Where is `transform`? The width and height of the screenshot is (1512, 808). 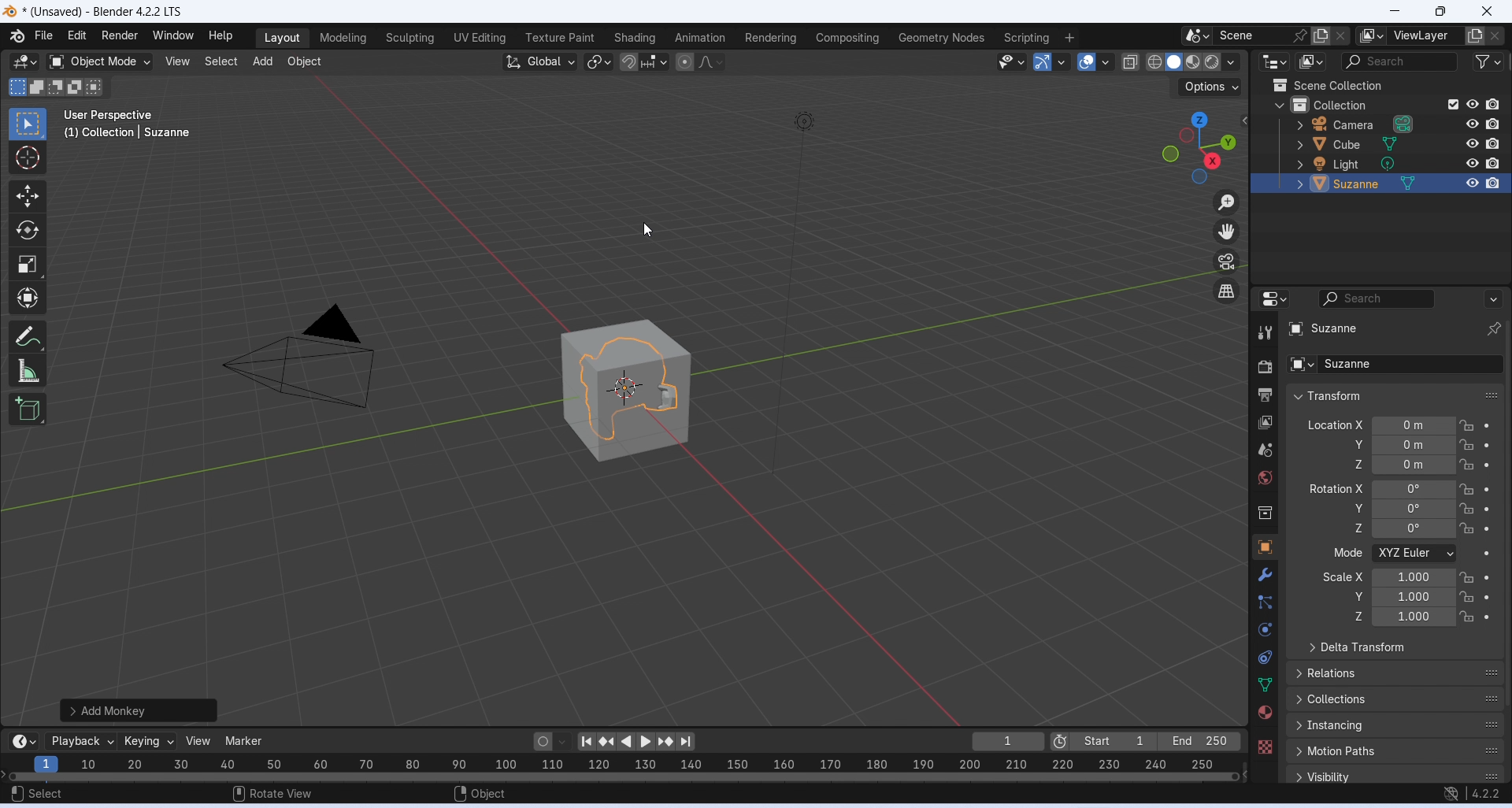
transform is located at coordinates (1395, 395).